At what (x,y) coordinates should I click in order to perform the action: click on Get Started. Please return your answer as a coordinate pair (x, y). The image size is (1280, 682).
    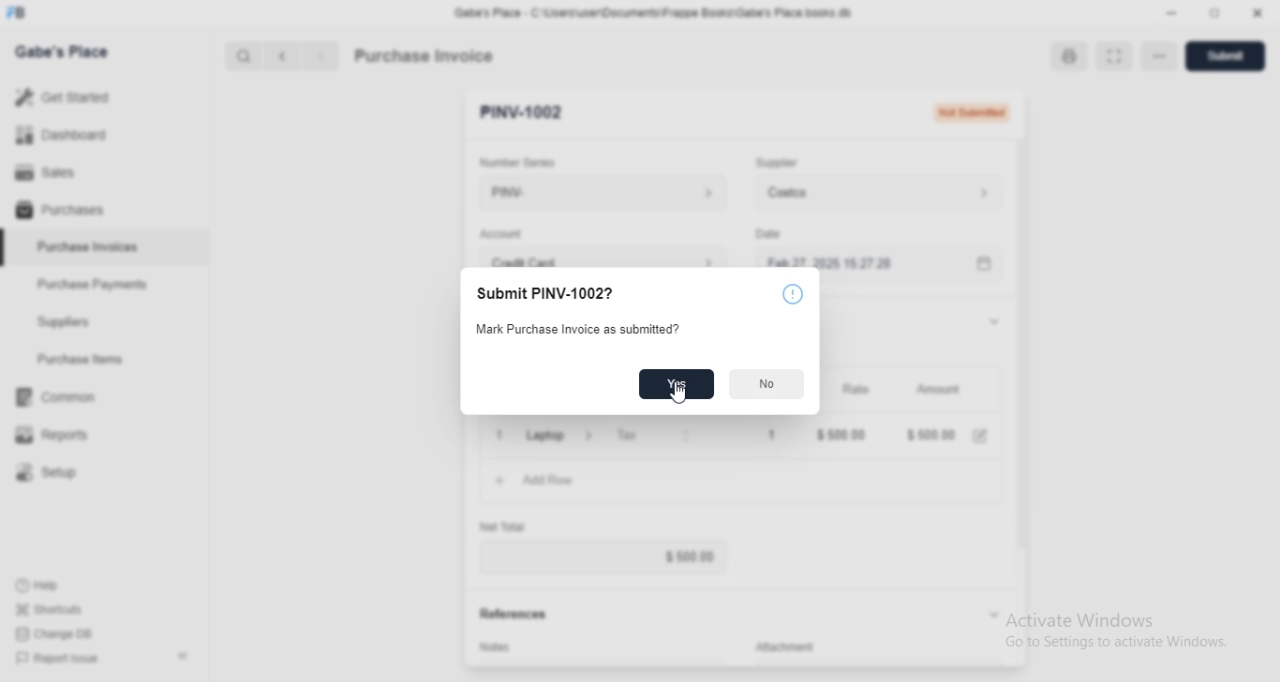
    Looking at the image, I should click on (104, 97).